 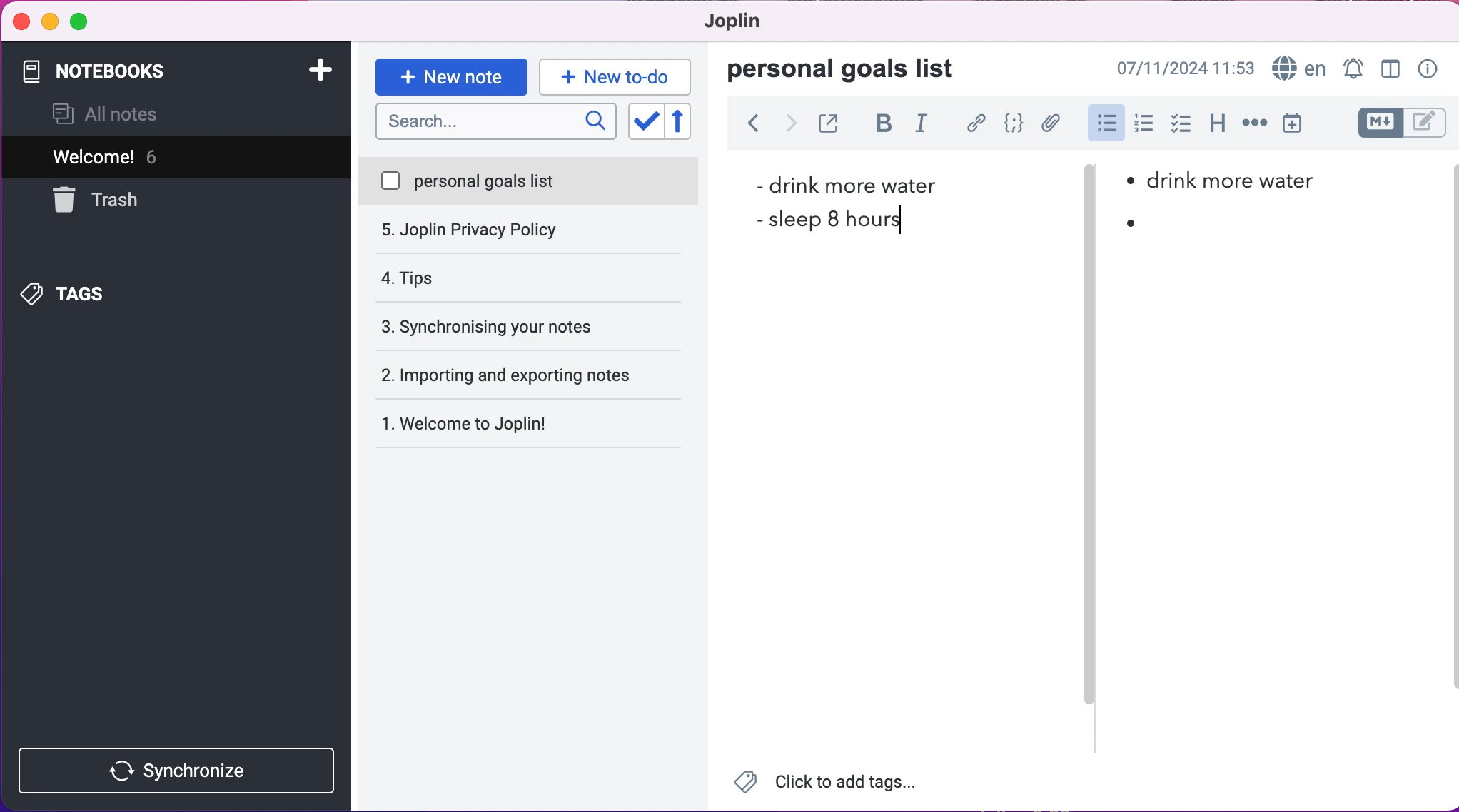 What do you see at coordinates (475, 423) in the screenshot?
I see `Welcome to Joplin!` at bounding box center [475, 423].